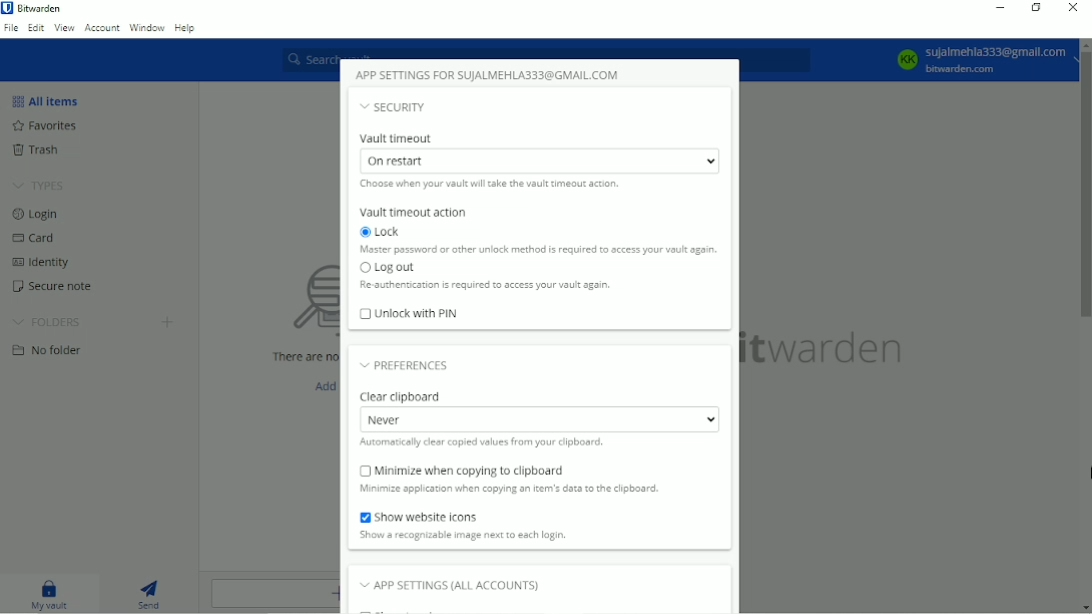 This screenshot has height=614, width=1092. I want to click on Security, so click(394, 106).